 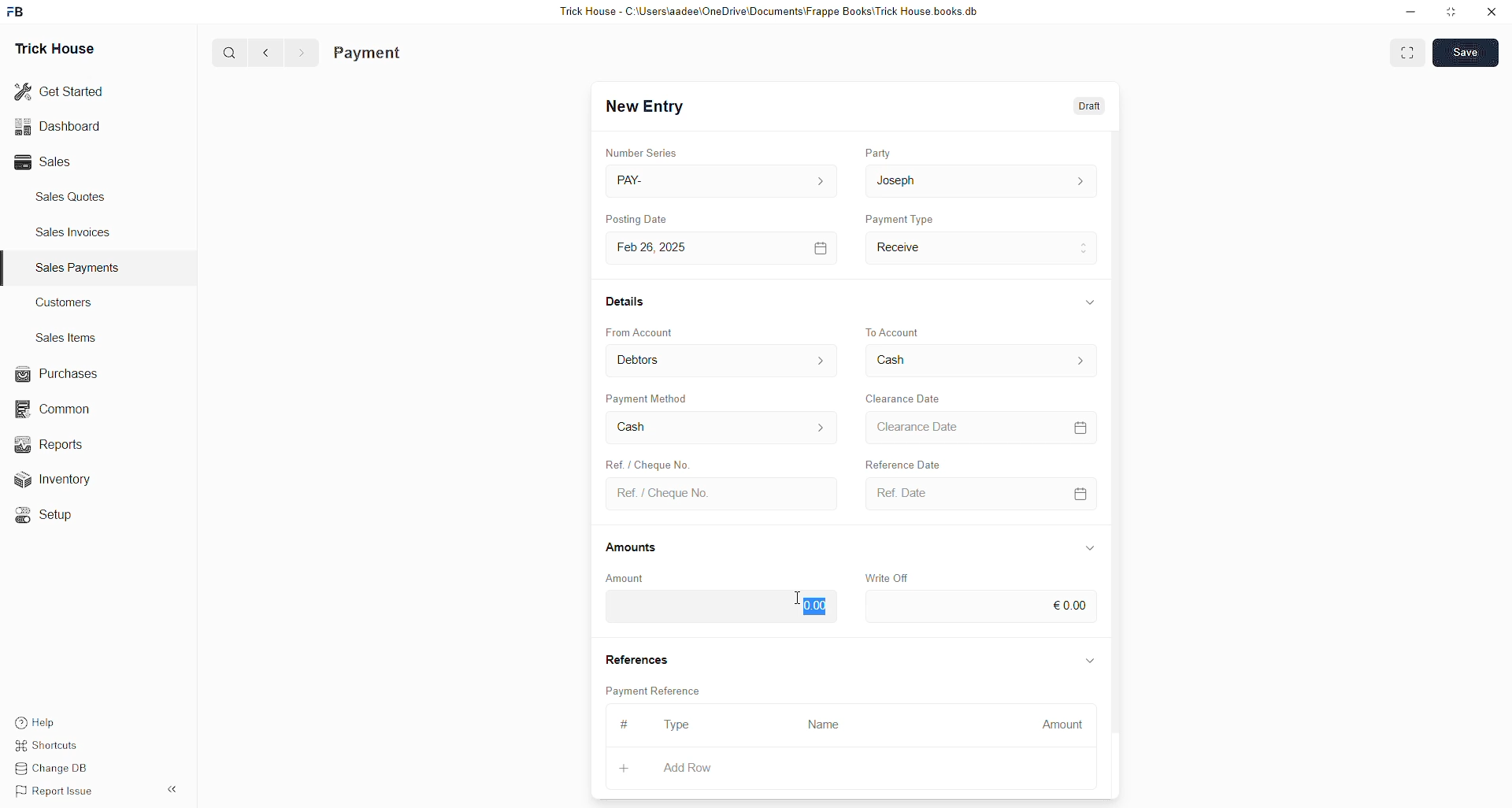 I want to click on Hide sidebar, so click(x=172, y=789).